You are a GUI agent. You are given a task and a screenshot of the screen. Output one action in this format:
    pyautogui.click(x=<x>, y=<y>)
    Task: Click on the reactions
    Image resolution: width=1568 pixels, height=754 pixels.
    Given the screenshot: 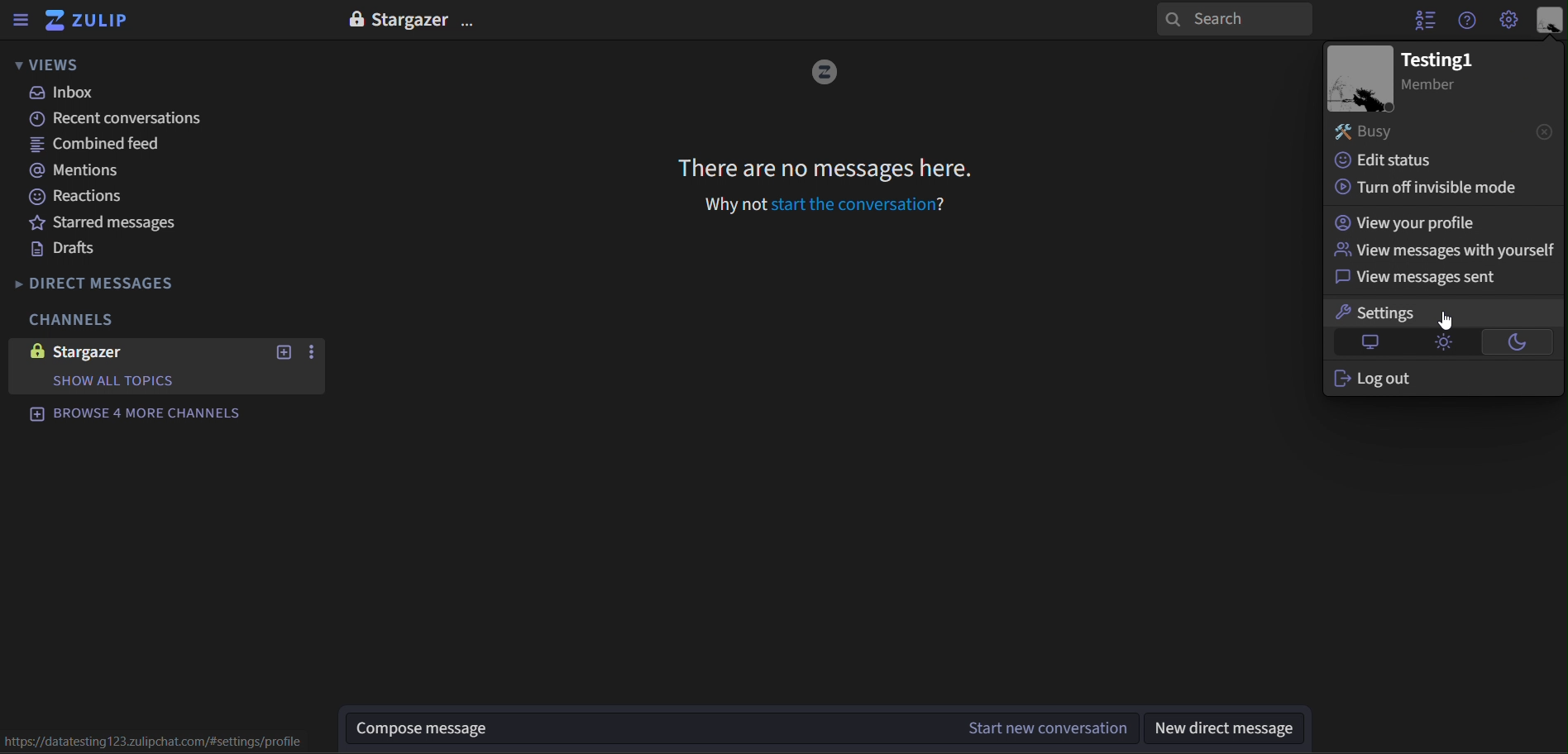 What is the action you would take?
    pyautogui.click(x=79, y=199)
    